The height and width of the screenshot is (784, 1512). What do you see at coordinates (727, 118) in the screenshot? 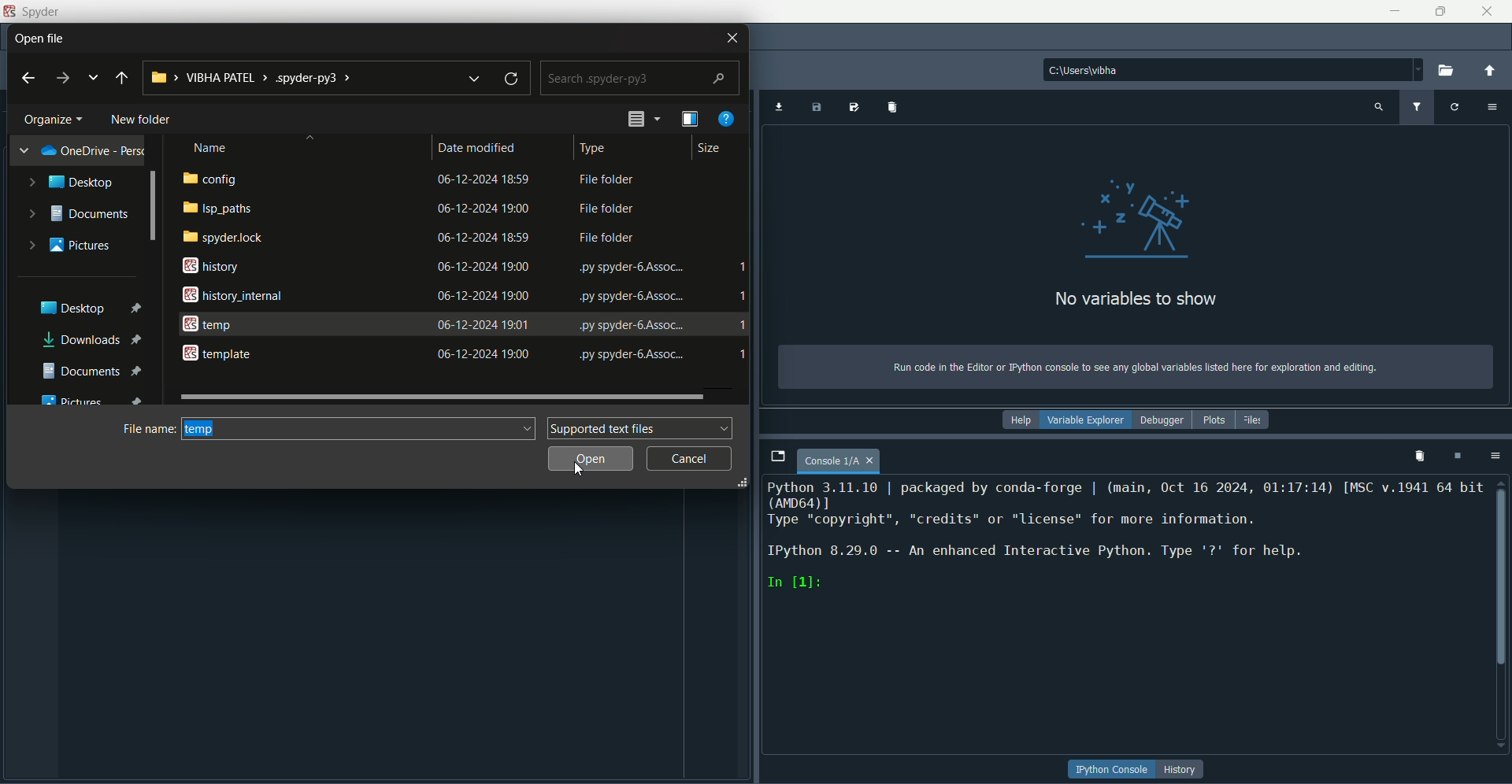
I see `get help` at bounding box center [727, 118].